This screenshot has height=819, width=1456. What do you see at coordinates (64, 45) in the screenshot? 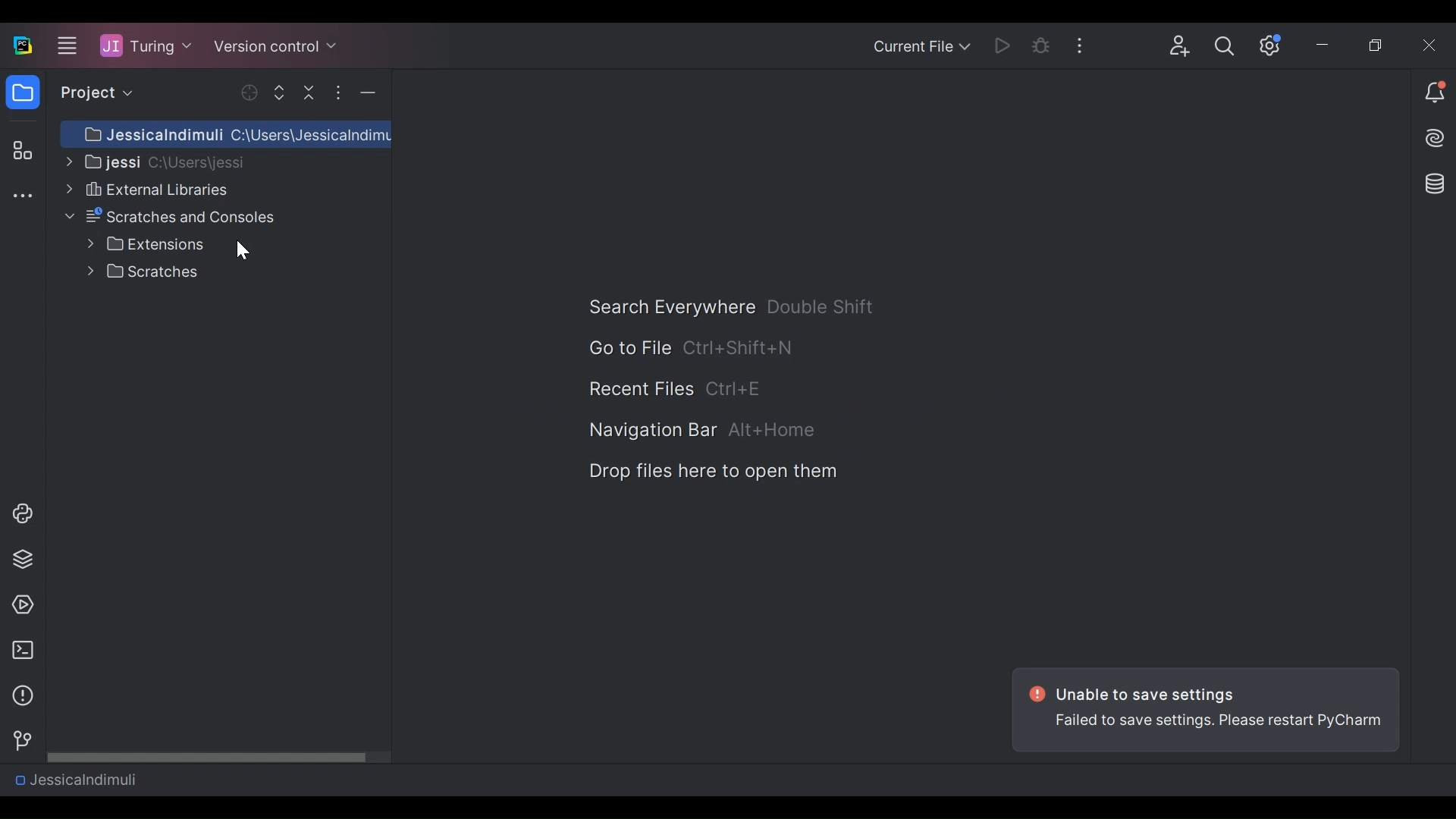
I see `Main  menu` at bounding box center [64, 45].